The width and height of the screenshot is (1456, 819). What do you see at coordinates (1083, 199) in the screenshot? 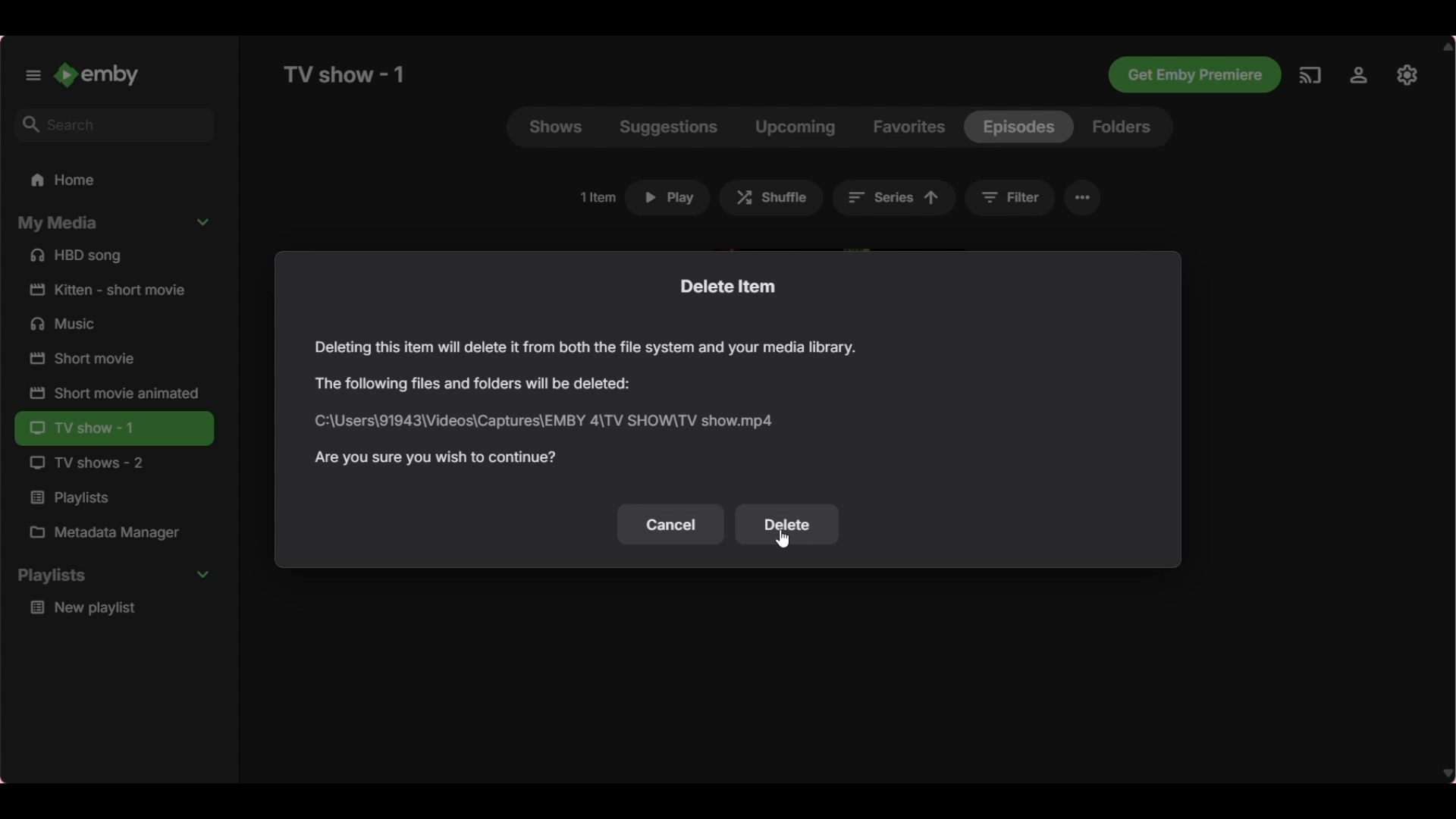
I see `More settings` at bounding box center [1083, 199].